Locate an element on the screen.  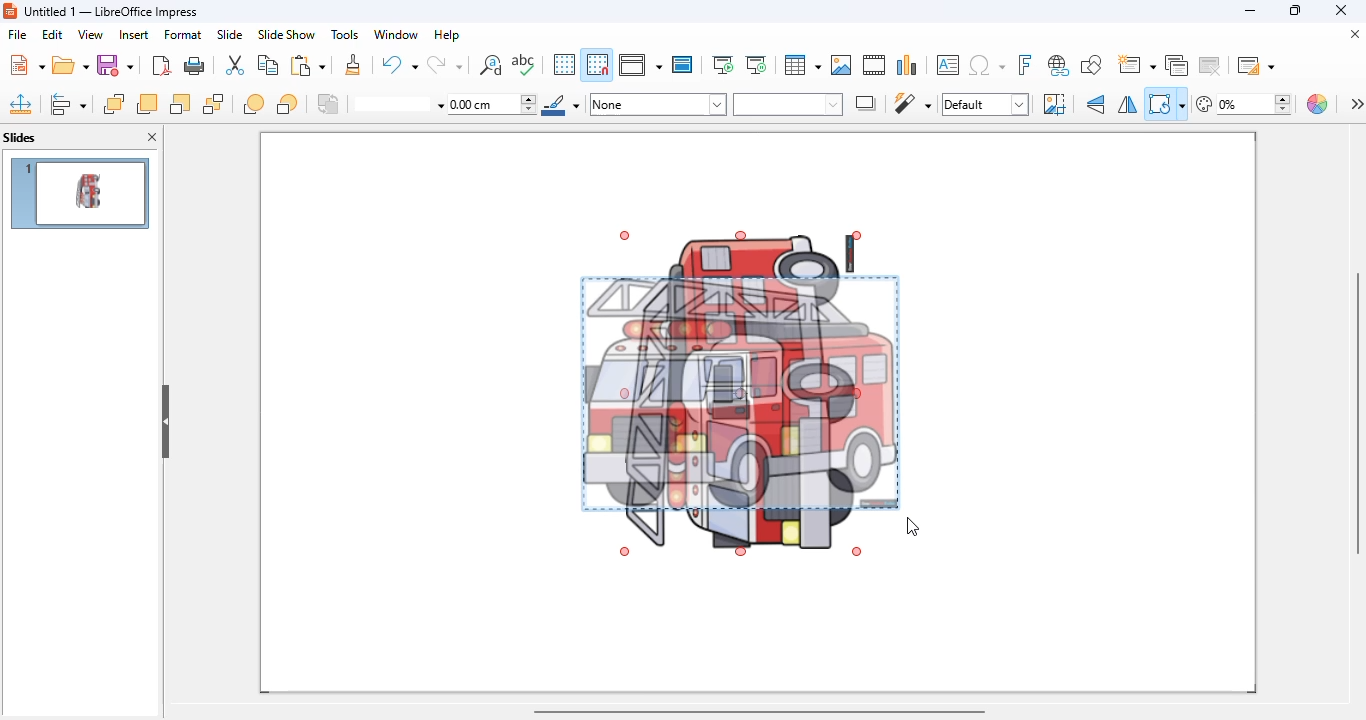
Rotated Image is located at coordinates (738, 392).